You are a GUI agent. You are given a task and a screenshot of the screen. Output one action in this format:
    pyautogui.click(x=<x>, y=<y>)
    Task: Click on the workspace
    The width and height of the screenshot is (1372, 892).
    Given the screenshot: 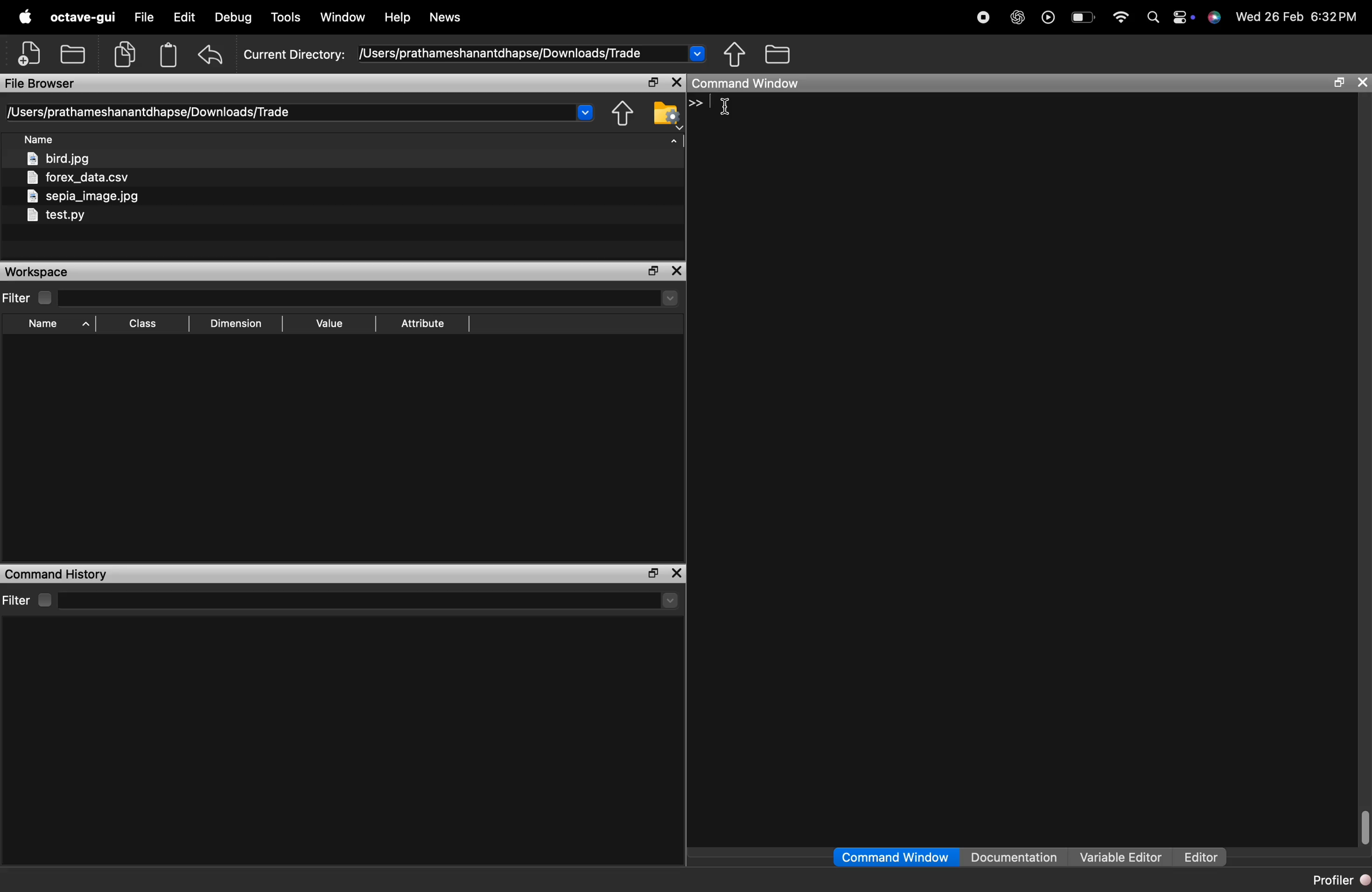 What is the action you would take?
    pyautogui.click(x=43, y=272)
    